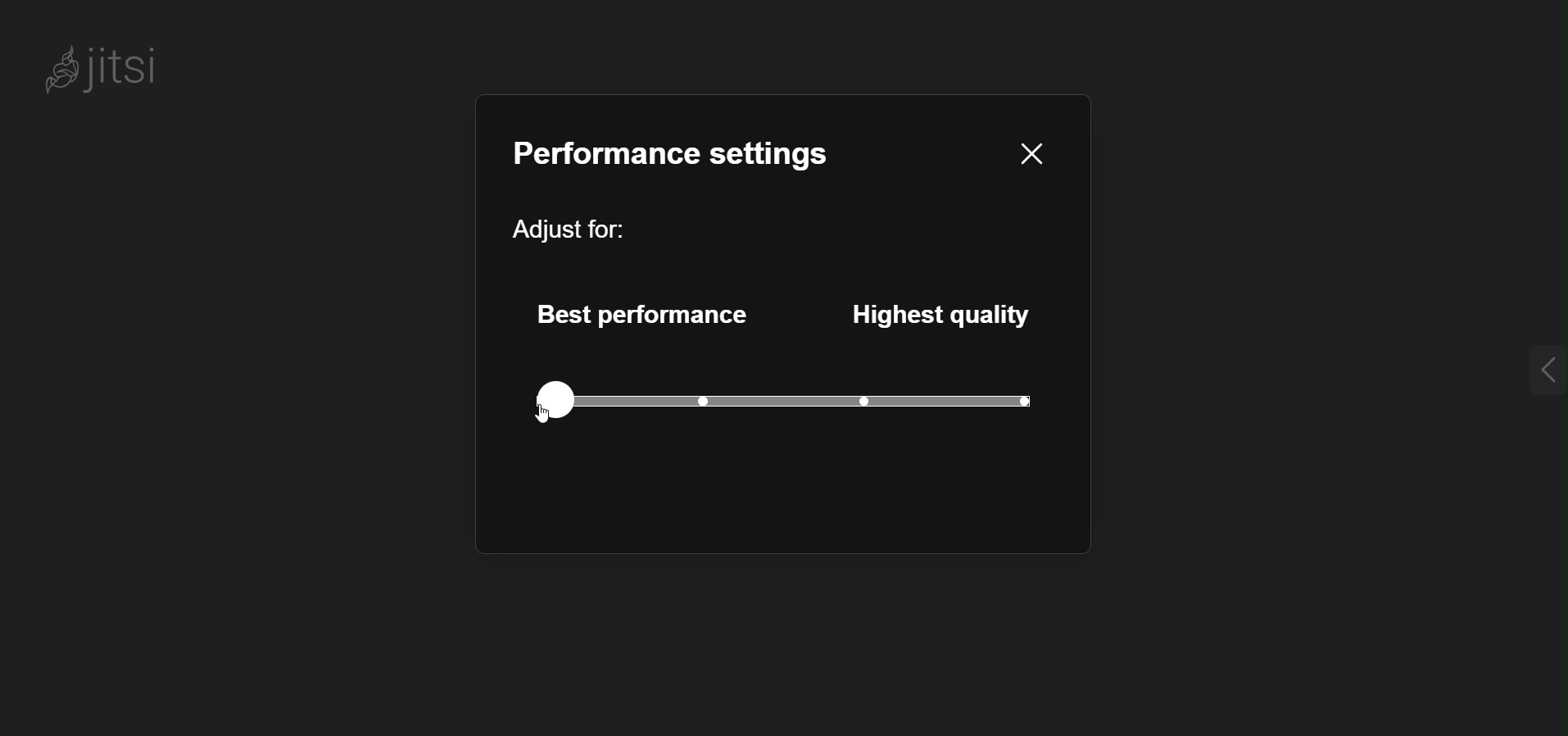  Describe the element at coordinates (1028, 152) in the screenshot. I see `close pane` at that location.